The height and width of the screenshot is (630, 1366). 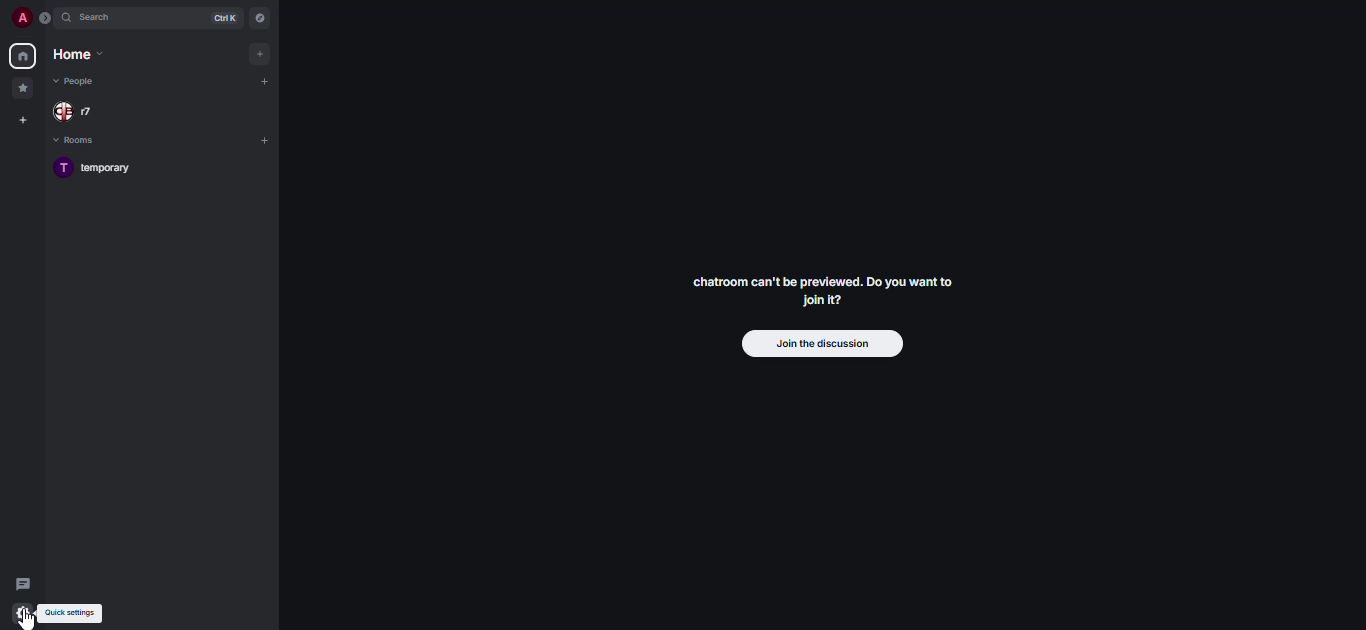 I want to click on add, so click(x=270, y=141).